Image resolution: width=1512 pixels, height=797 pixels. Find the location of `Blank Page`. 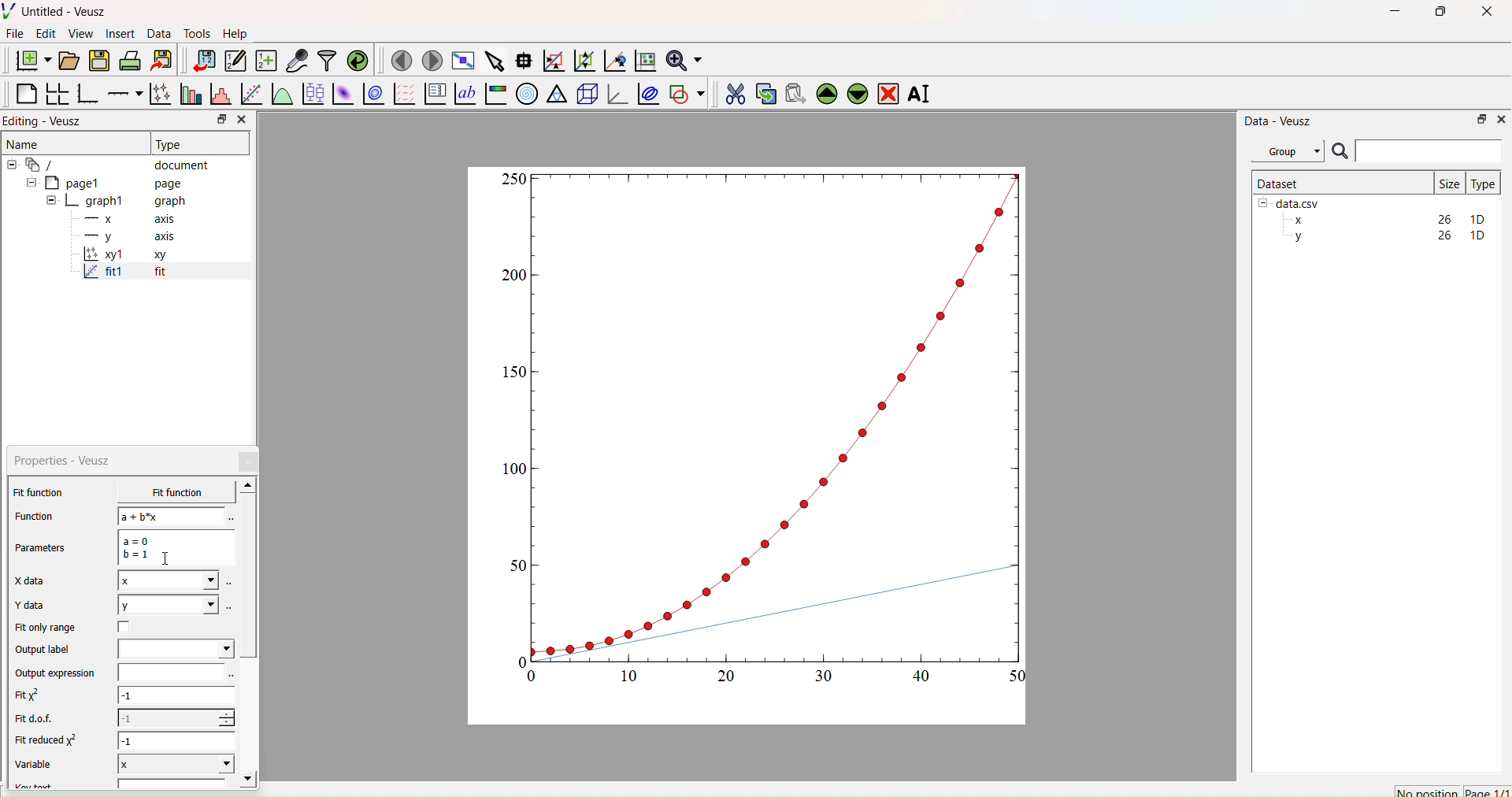

Blank Page is located at coordinates (26, 94).